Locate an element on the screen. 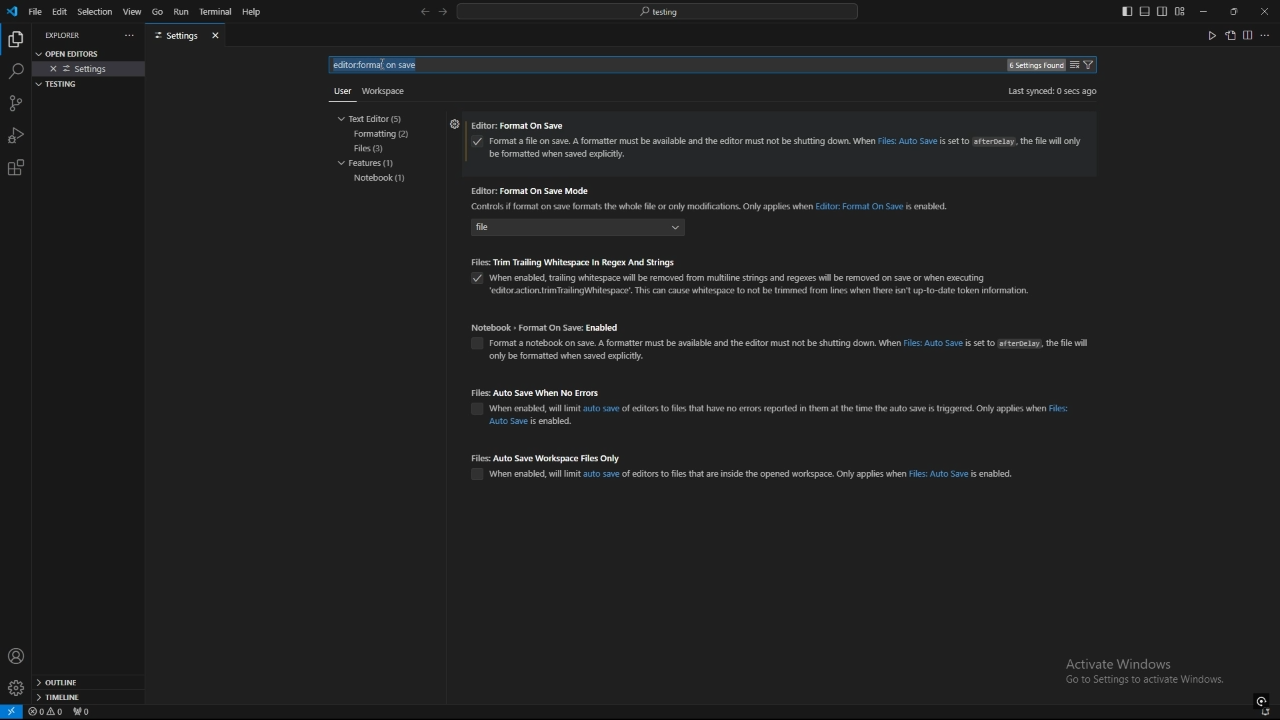 Image resolution: width=1280 pixels, height=720 pixels. notebook is located at coordinates (380, 179).